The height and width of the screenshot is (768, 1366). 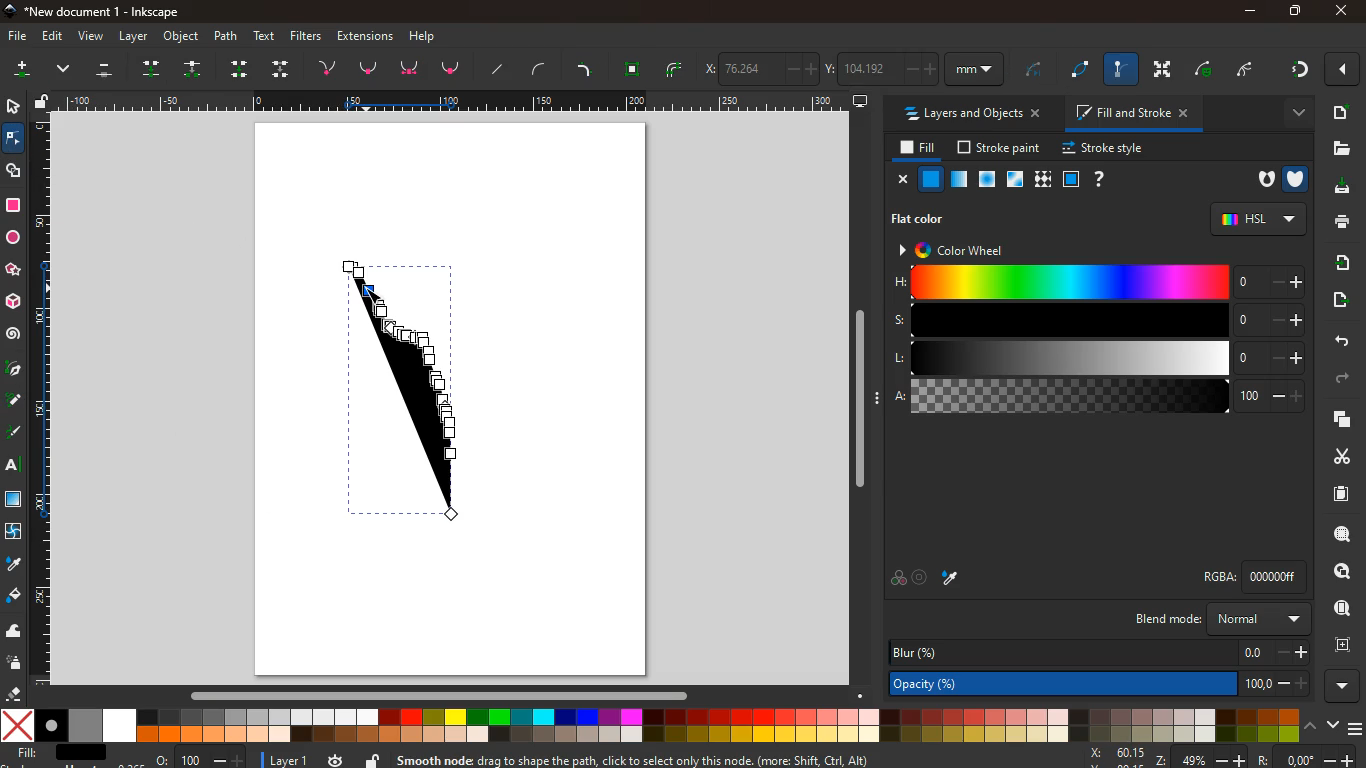 What do you see at coordinates (970, 113) in the screenshot?
I see `layers and objects` at bounding box center [970, 113].